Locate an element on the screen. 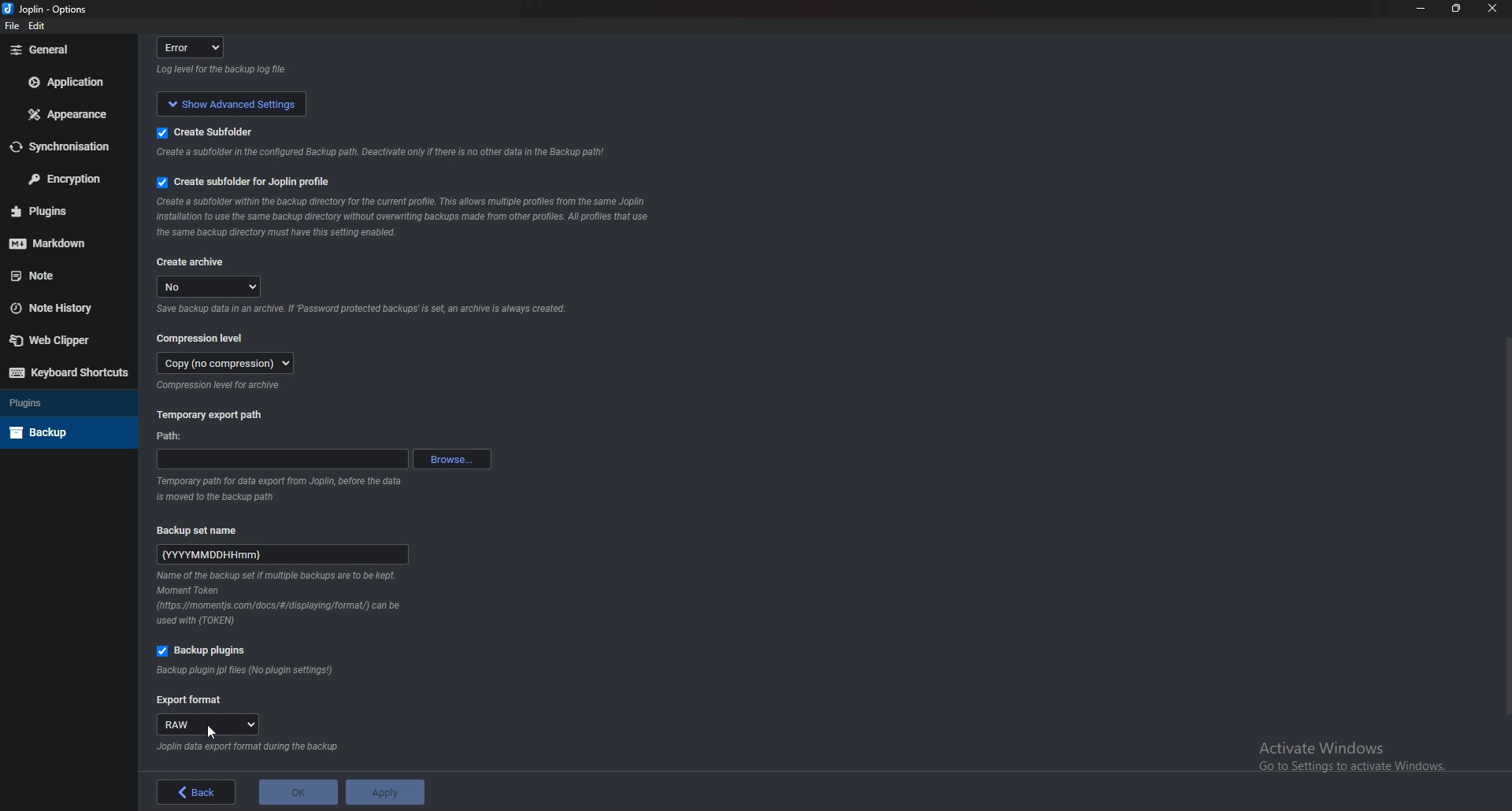 The image size is (1512, 811). show advanced settings is located at coordinates (228, 102).